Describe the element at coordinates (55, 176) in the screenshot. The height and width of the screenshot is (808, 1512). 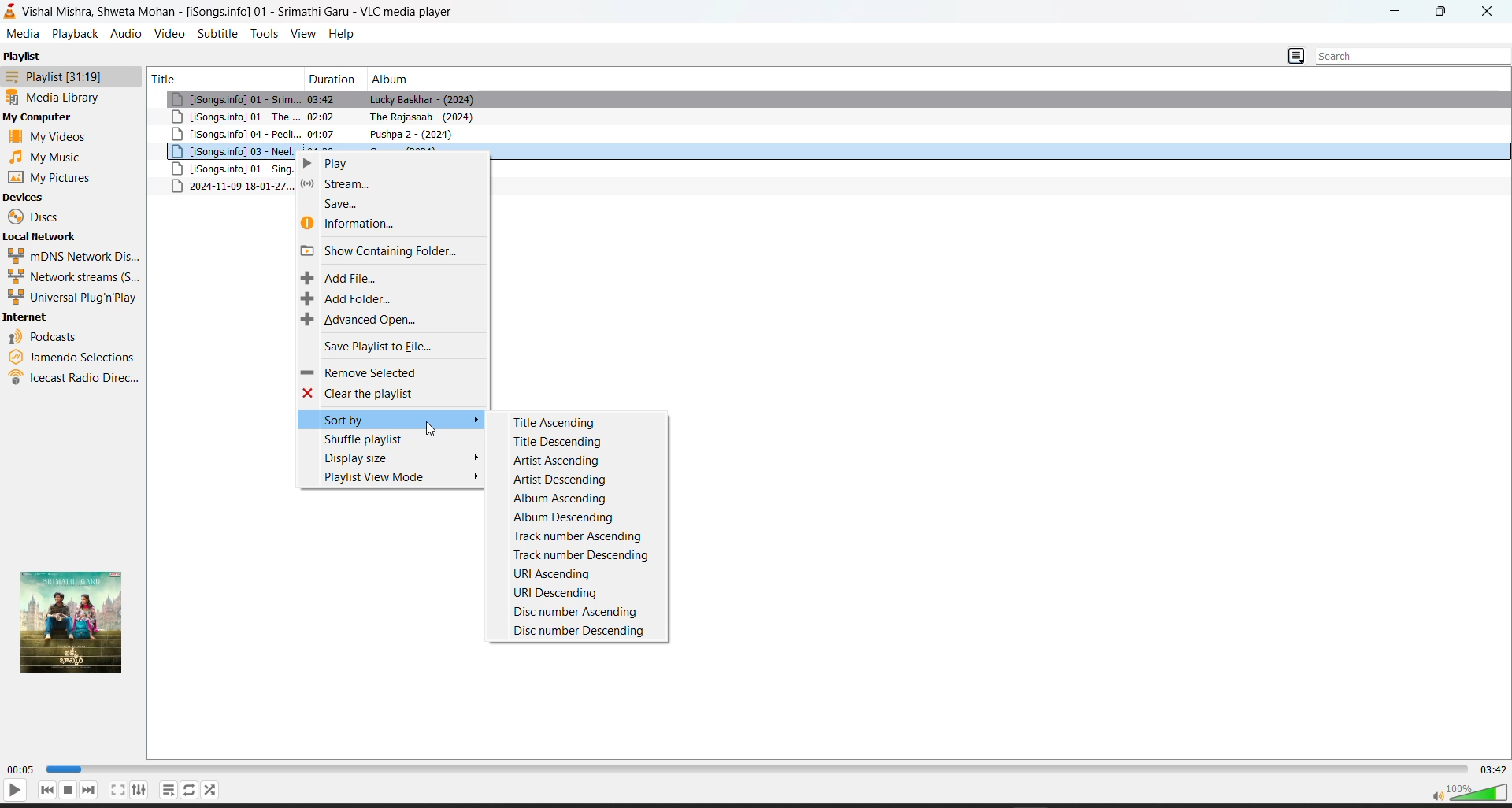
I see `pictures` at that location.